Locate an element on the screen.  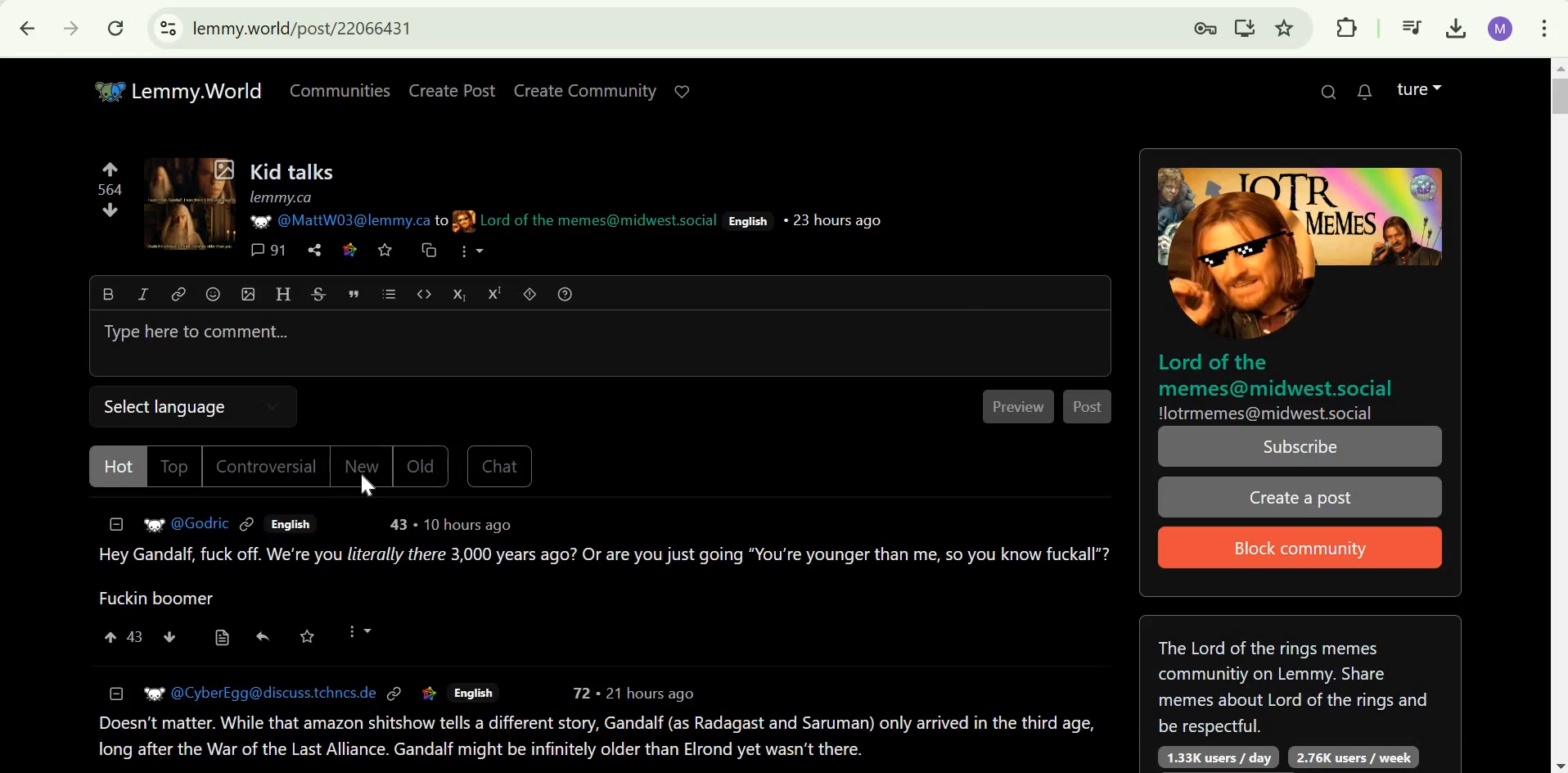
1.33K users in the last day is located at coordinates (1213, 757).